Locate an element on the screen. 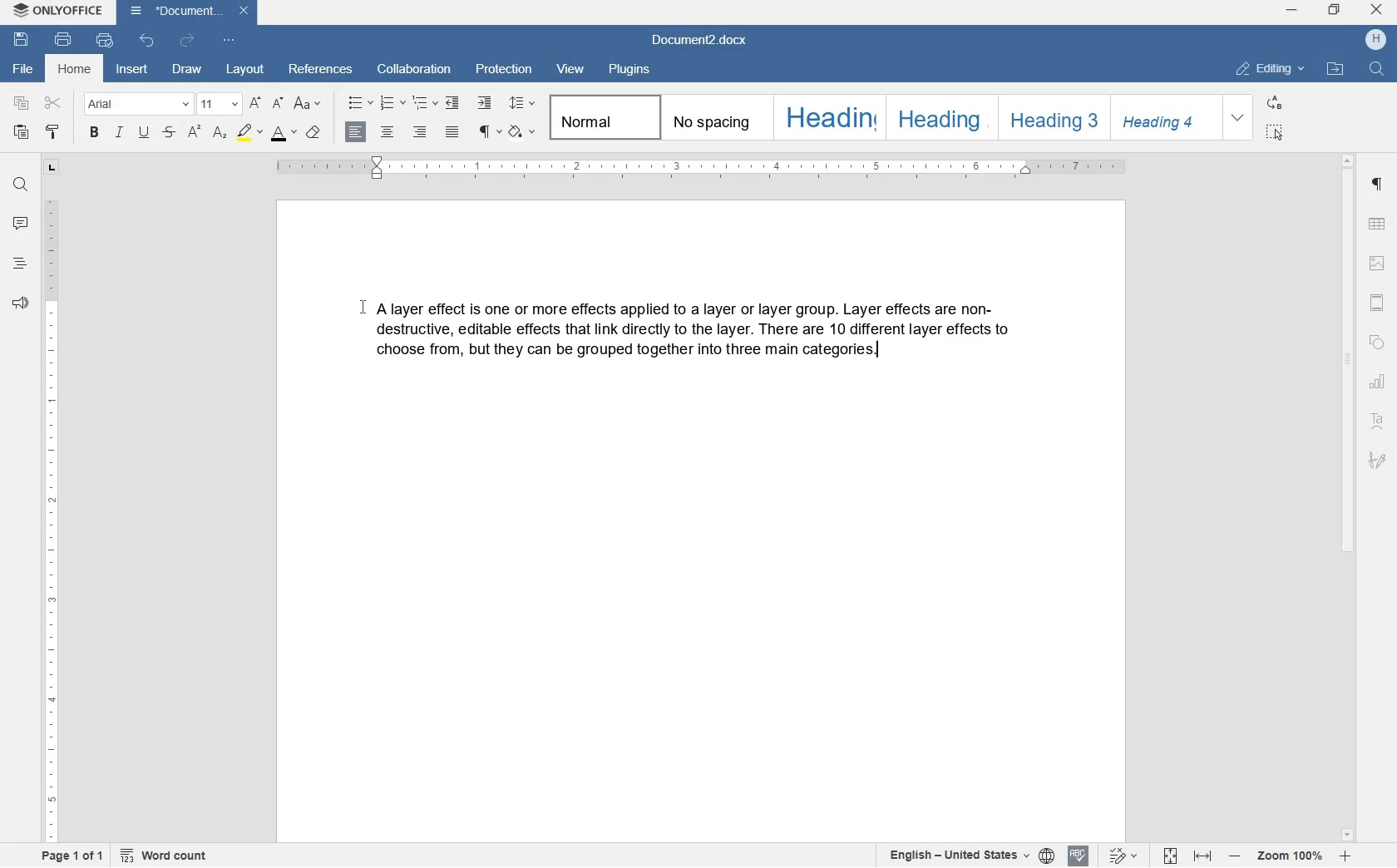  collaboration is located at coordinates (415, 71).